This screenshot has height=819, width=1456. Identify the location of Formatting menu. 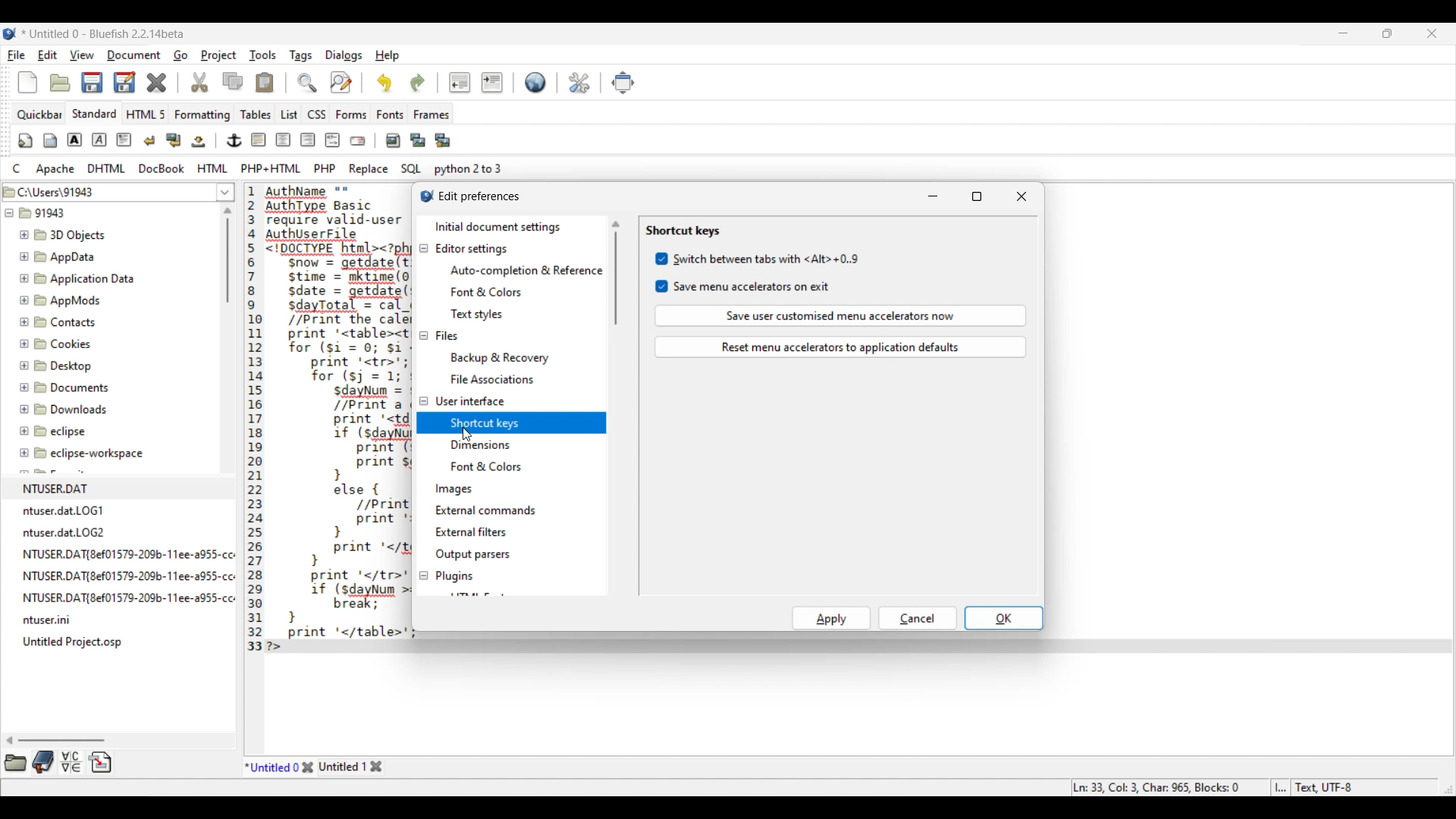
(202, 115).